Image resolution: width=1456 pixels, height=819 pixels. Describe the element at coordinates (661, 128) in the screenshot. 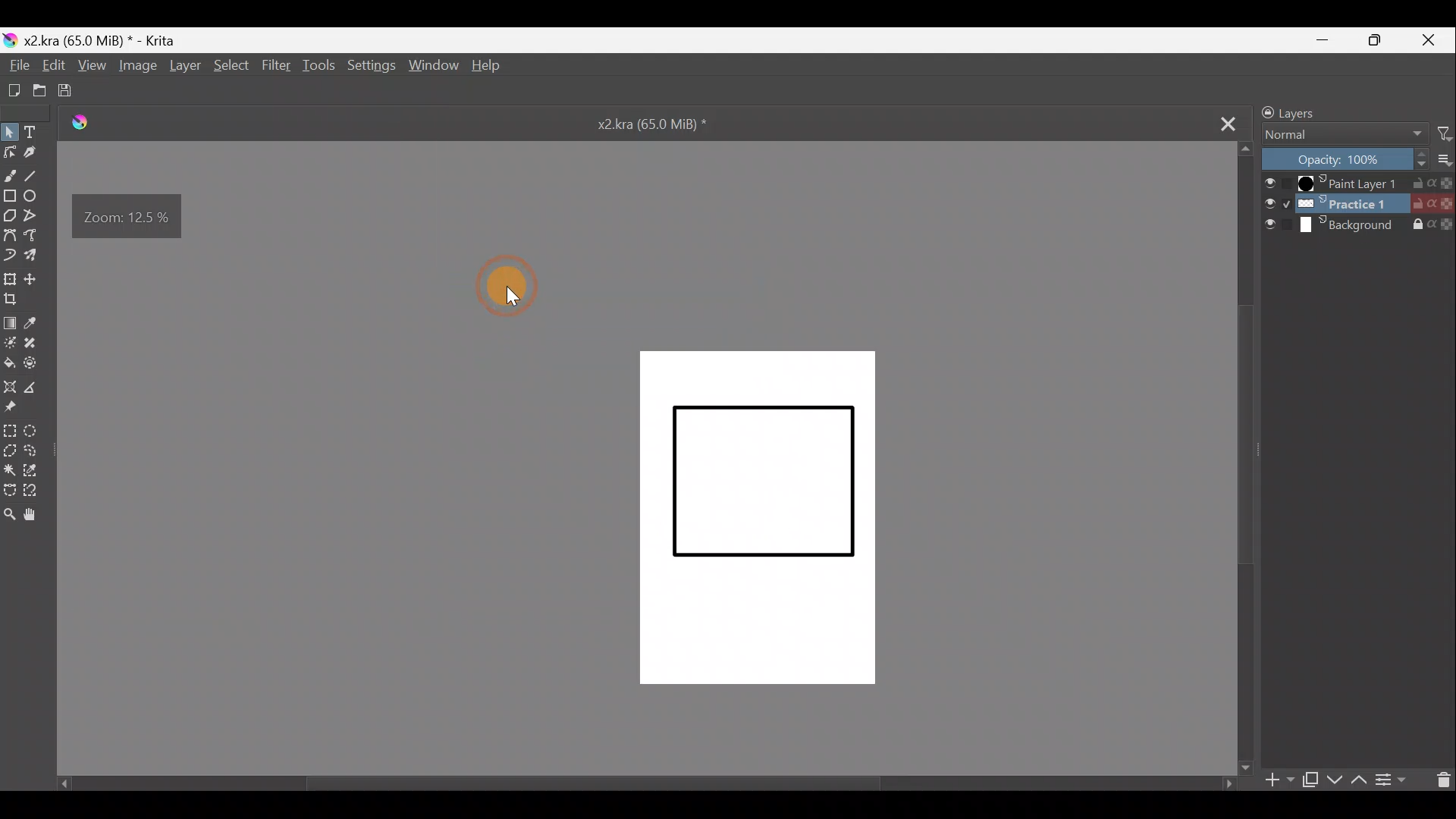

I see `x2.kra (65.0 MiB) *` at that location.